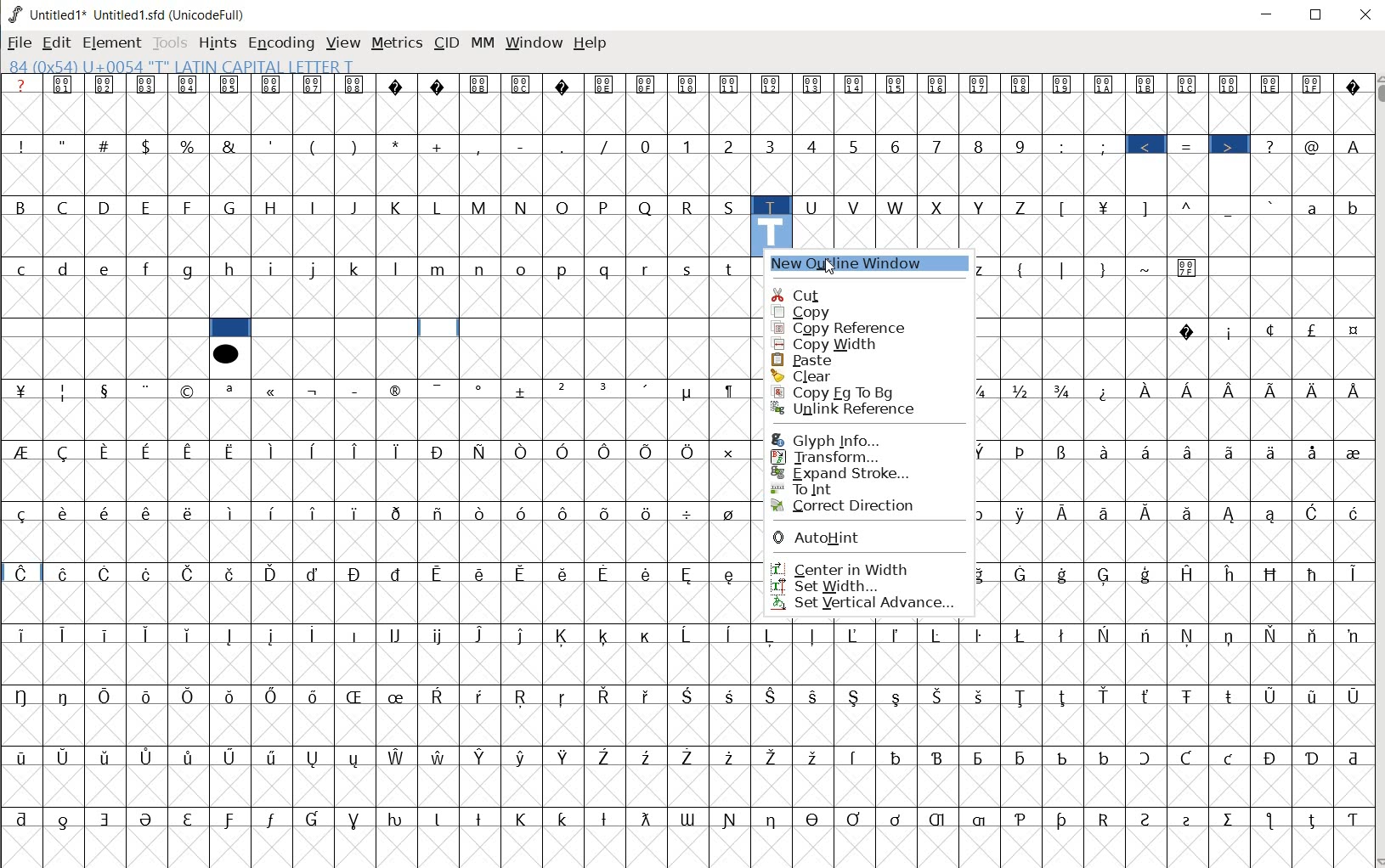  Describe the element at coordinates (898, 86) in the screenshot. I see `Symbol` at that location.